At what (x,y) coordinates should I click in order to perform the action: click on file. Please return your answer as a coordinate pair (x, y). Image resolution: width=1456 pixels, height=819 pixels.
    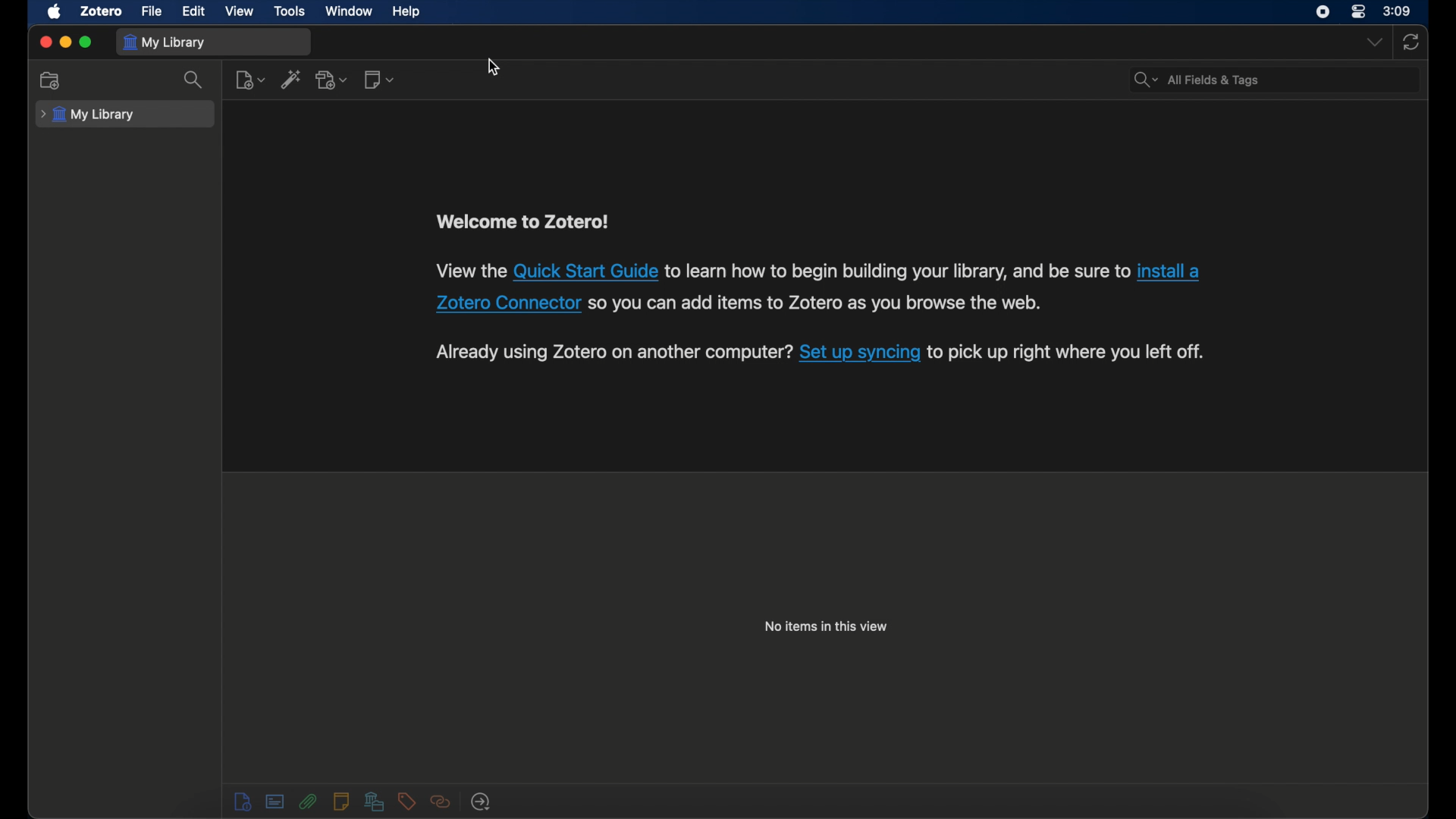
    Looking at the image, I should click on (151, 11).